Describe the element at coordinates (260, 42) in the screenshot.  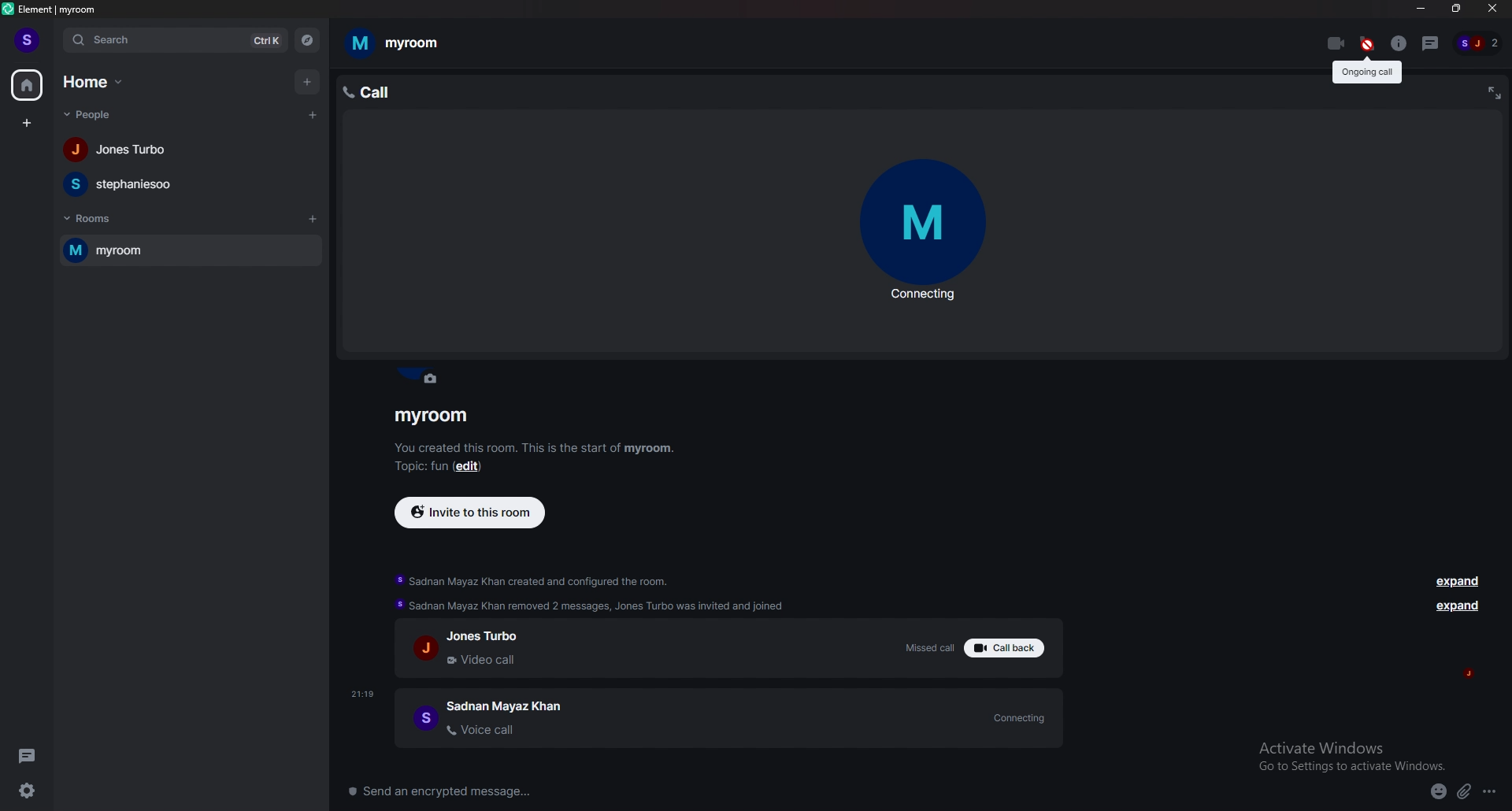
I see `ctrl k` at that location.